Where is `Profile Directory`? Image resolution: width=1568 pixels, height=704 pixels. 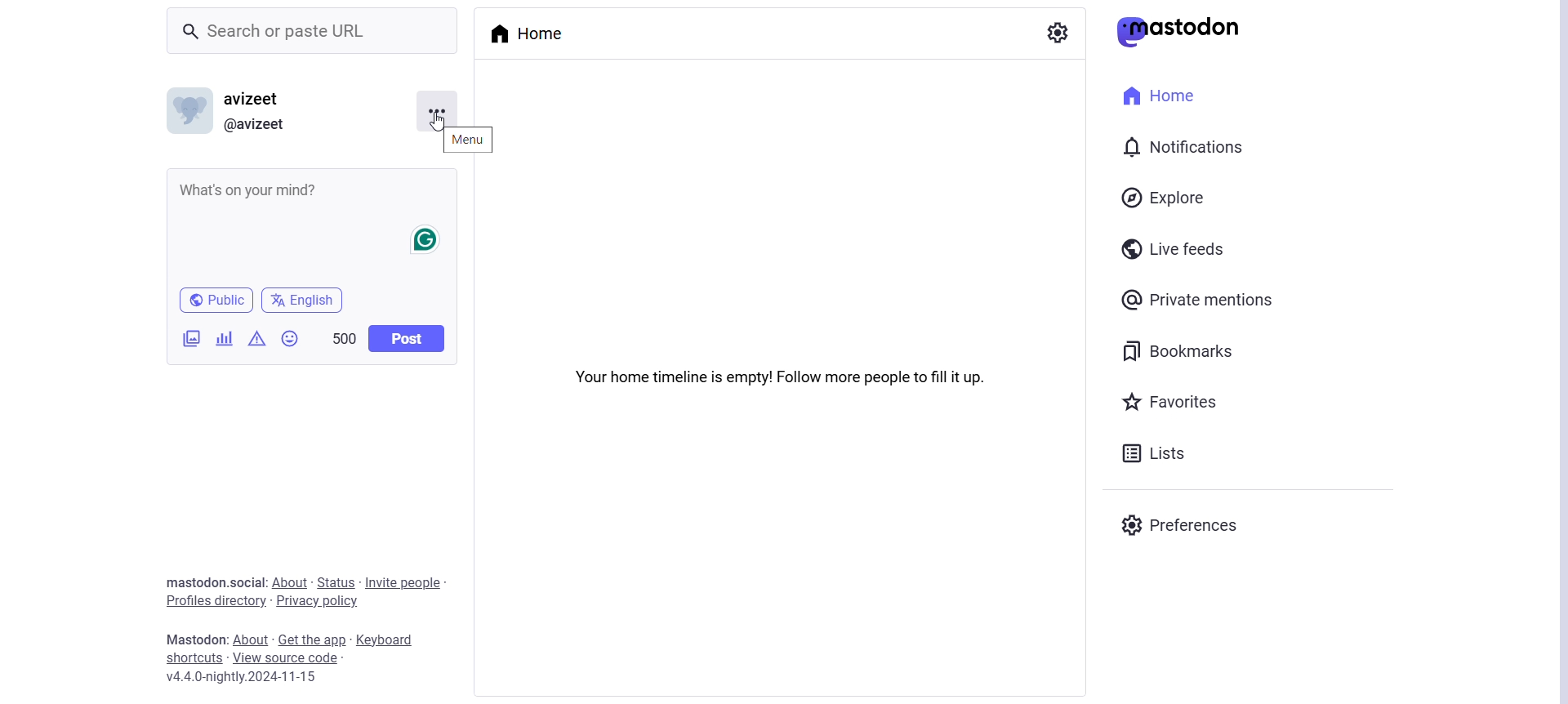
Profile Directory is located at coordinates (213, 601).